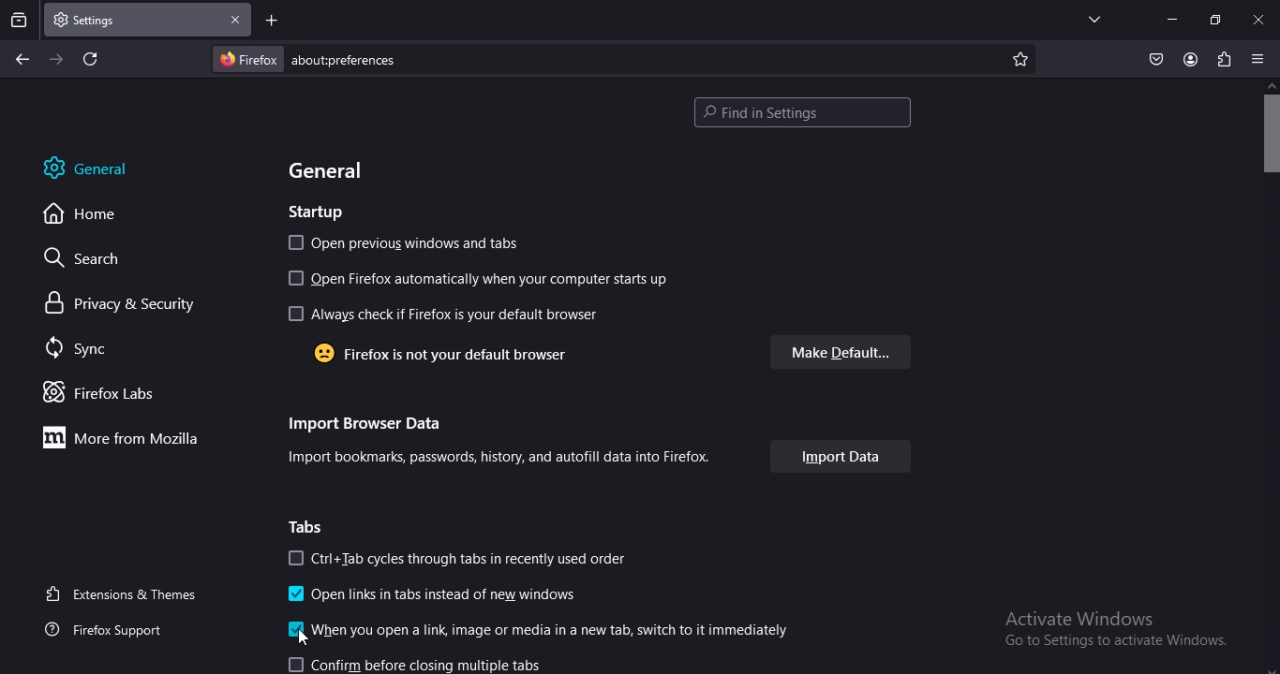  Describe the element at coordinates (448, 314) in the screenshot. I see `always check if firefox is your default browser` at that location.